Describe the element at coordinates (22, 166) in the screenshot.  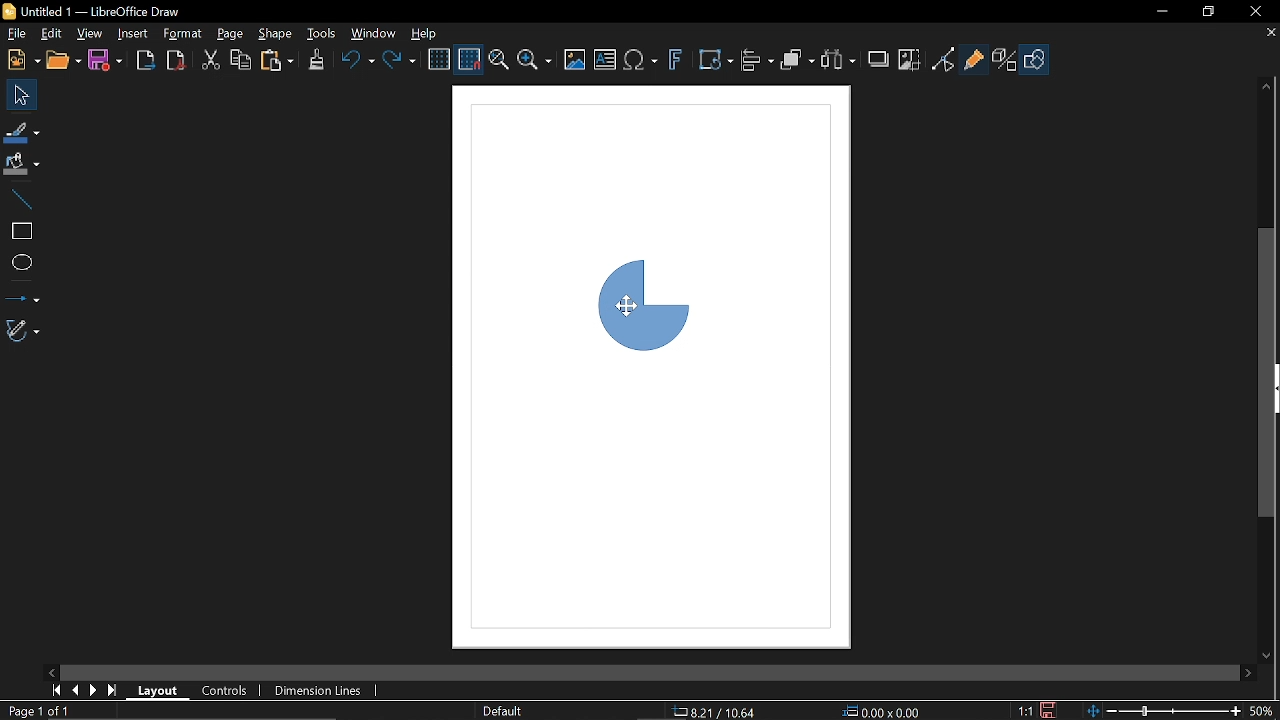
I see `Fill color` at that location.